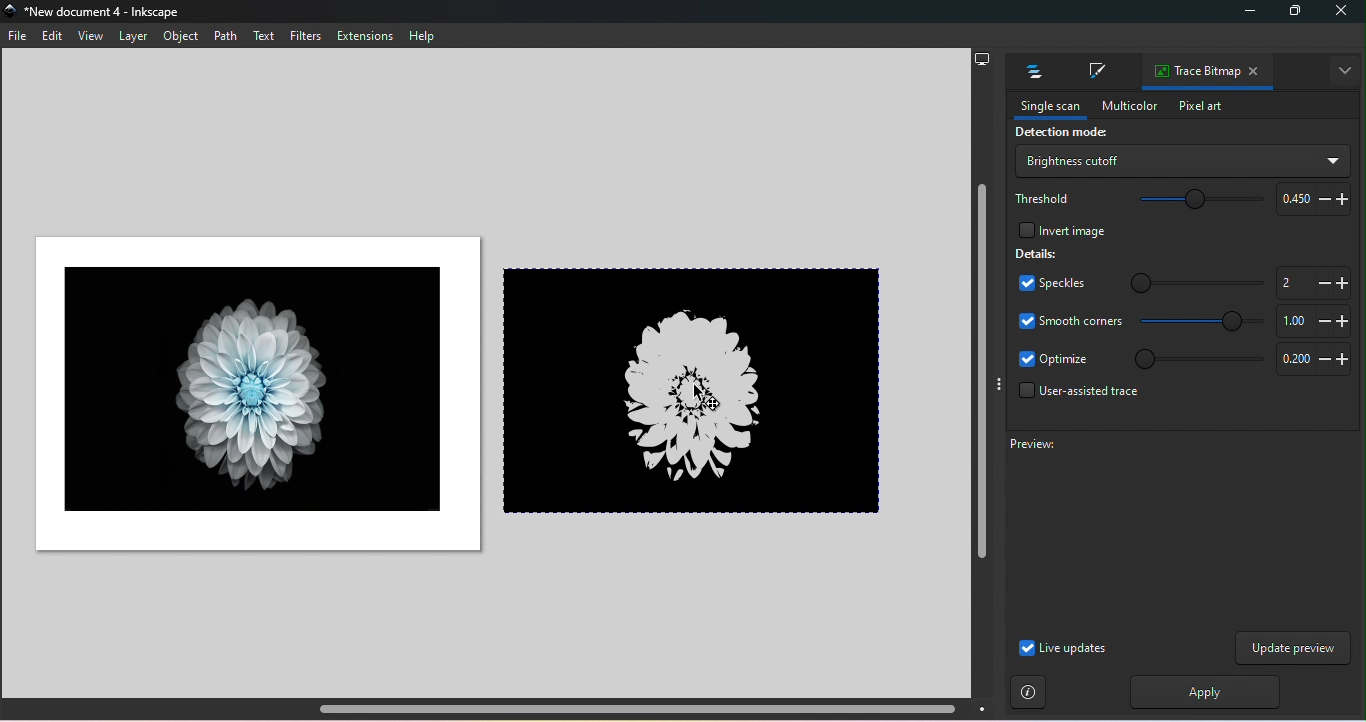  I want to click on Multicolor, so click(1123, 106).